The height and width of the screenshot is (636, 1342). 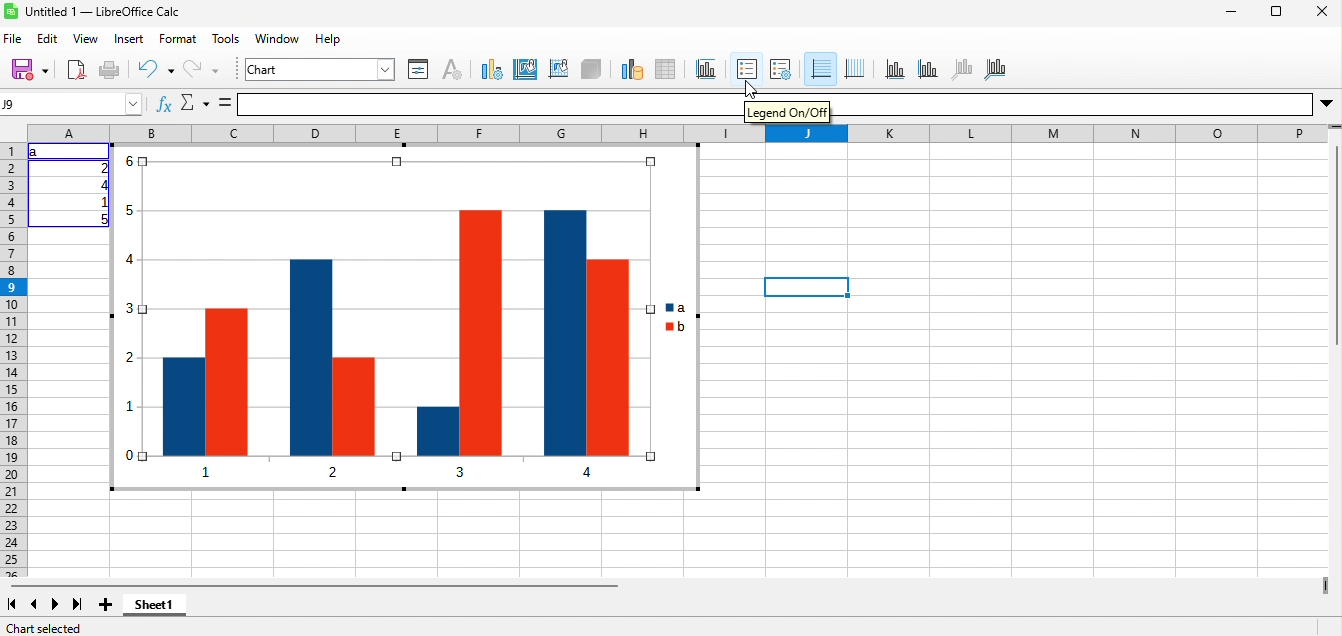 I want to click on first sheet, so click(x=13, y=605).